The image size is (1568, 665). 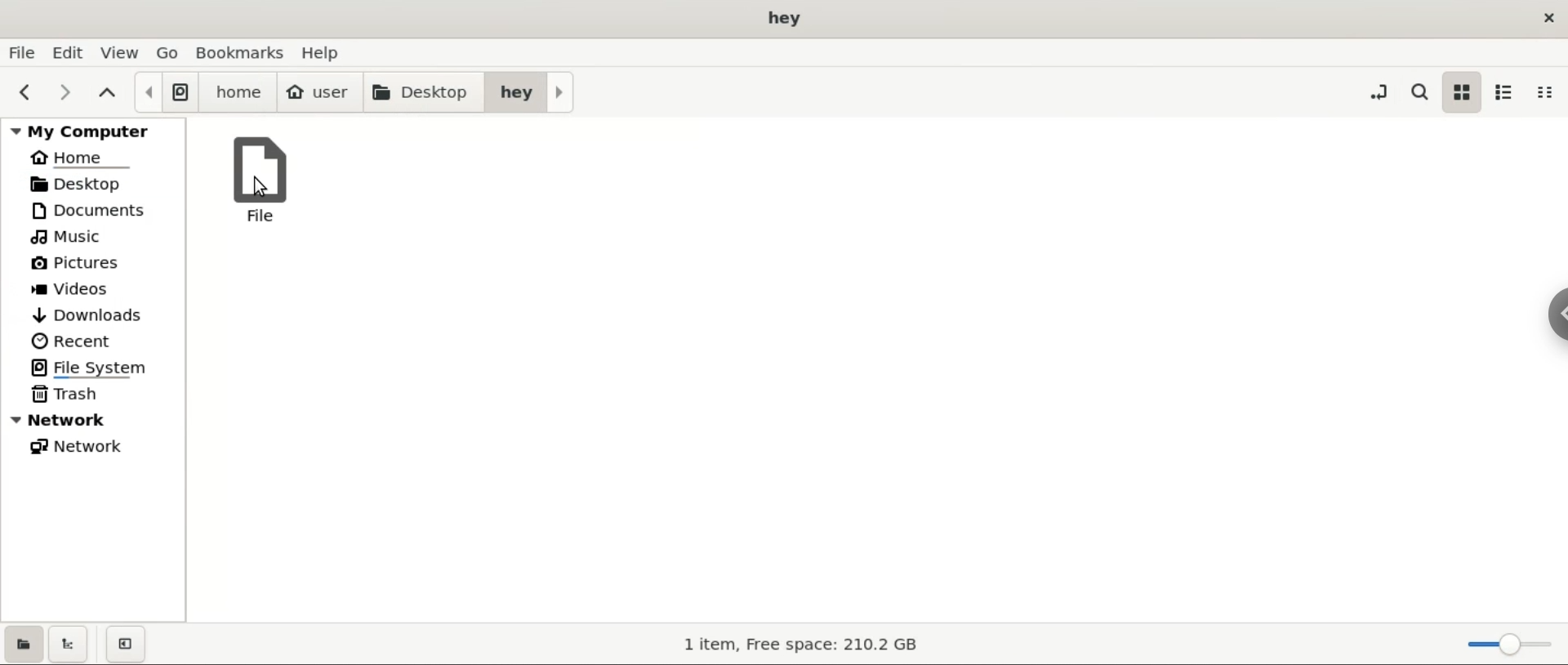 What do you see at coordinates (265, 185) in the screenshot?
I see `cursor` at bounding box center [265, 185].